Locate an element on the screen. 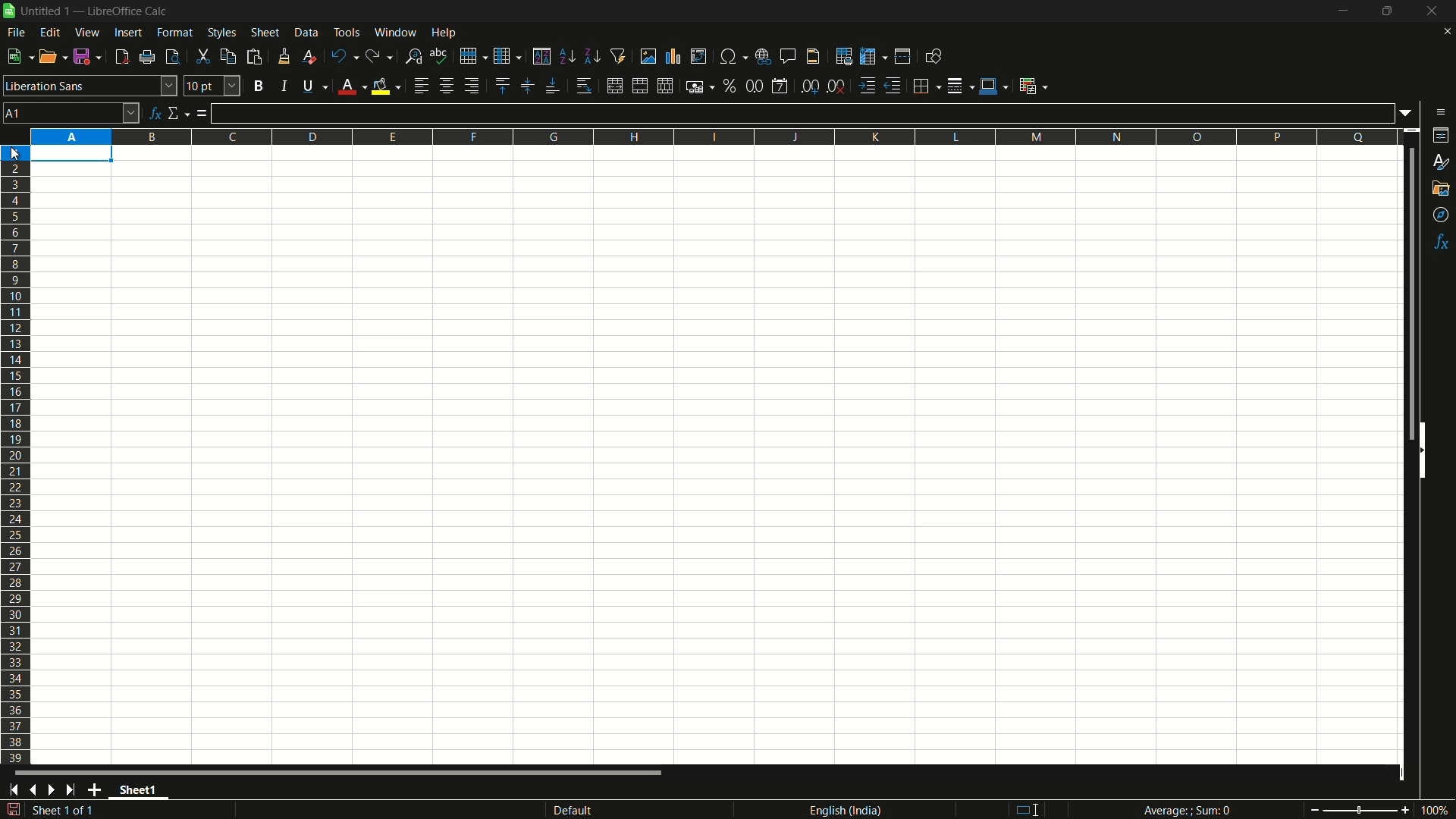  sort ascending is located at coordinates (566, 57).